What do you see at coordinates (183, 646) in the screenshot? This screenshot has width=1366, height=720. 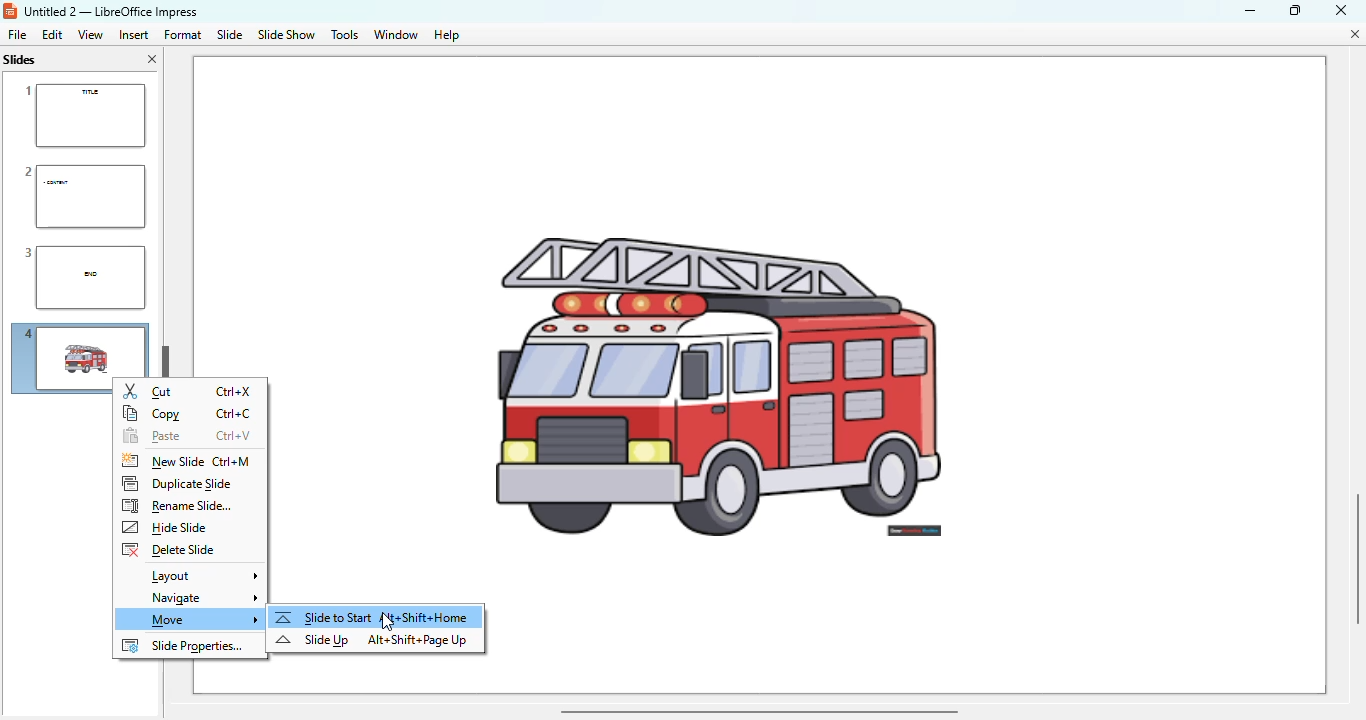 I see `slide properties` at bounding box center [183, 646].